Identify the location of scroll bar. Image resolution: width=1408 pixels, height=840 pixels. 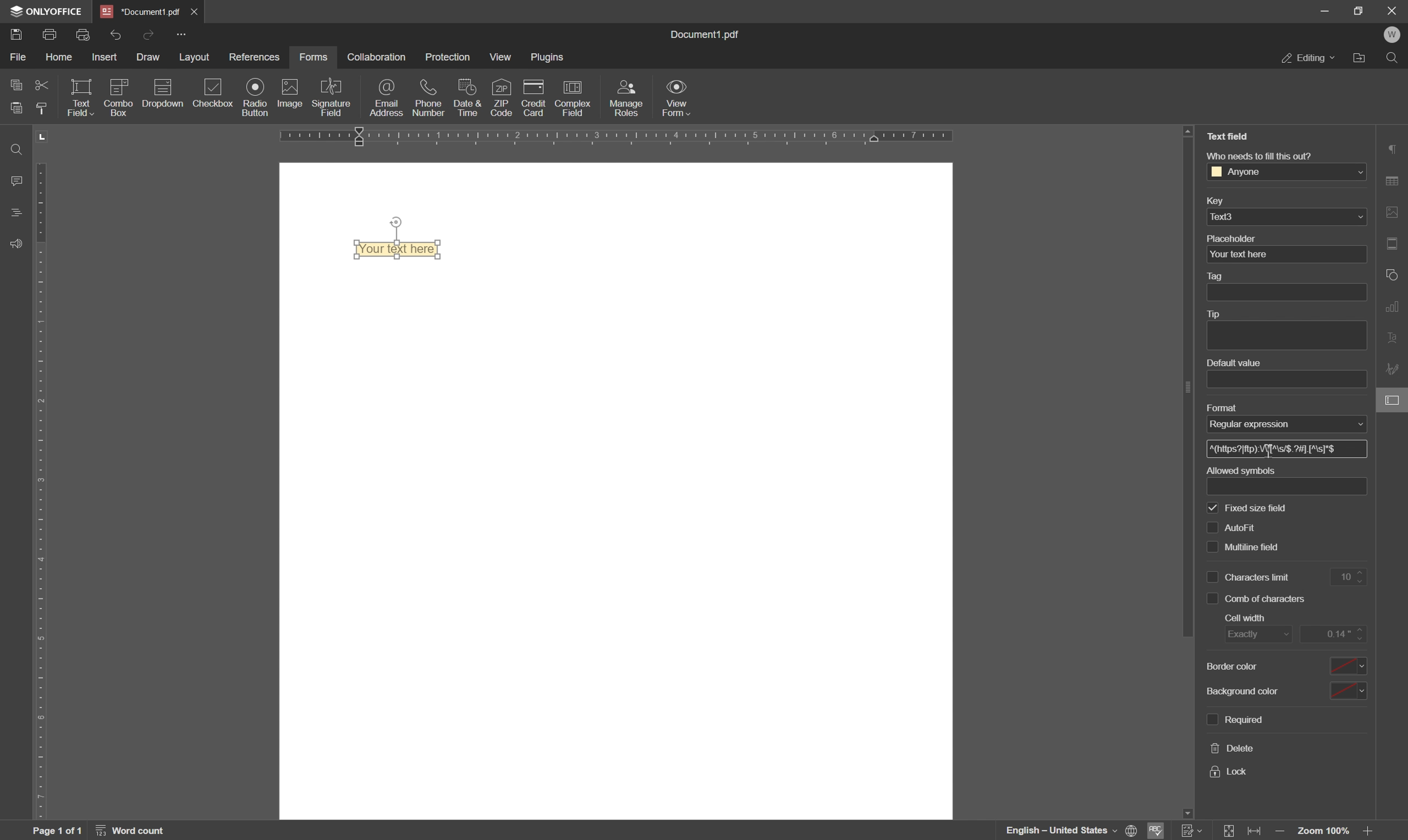
(1183, 392).